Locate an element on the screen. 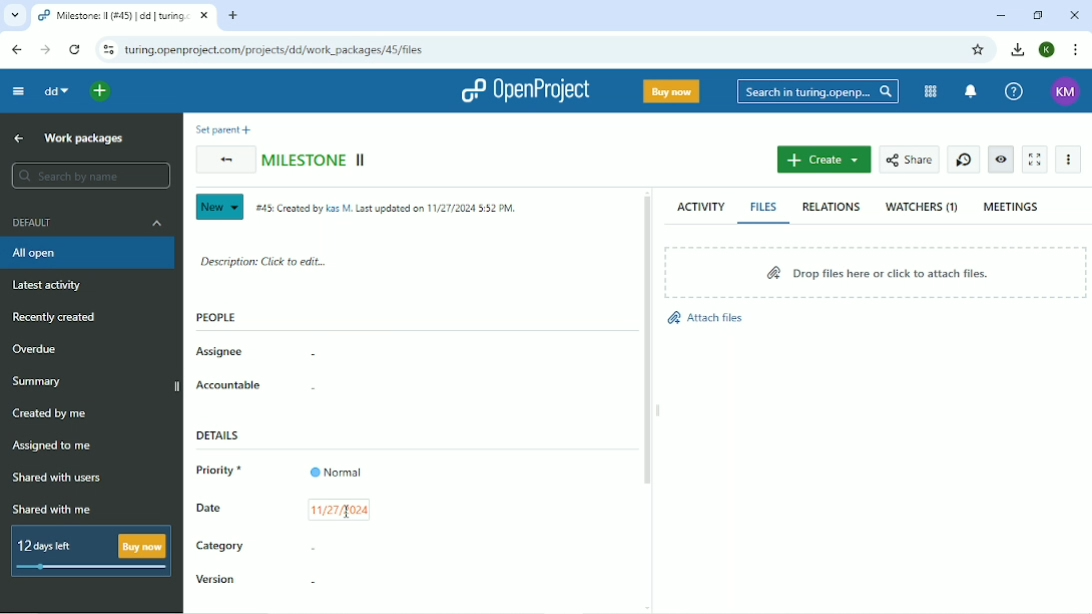 Image resolution: width=1092 pixels, height=614 pixels. People is located at coordinates (217, 317).